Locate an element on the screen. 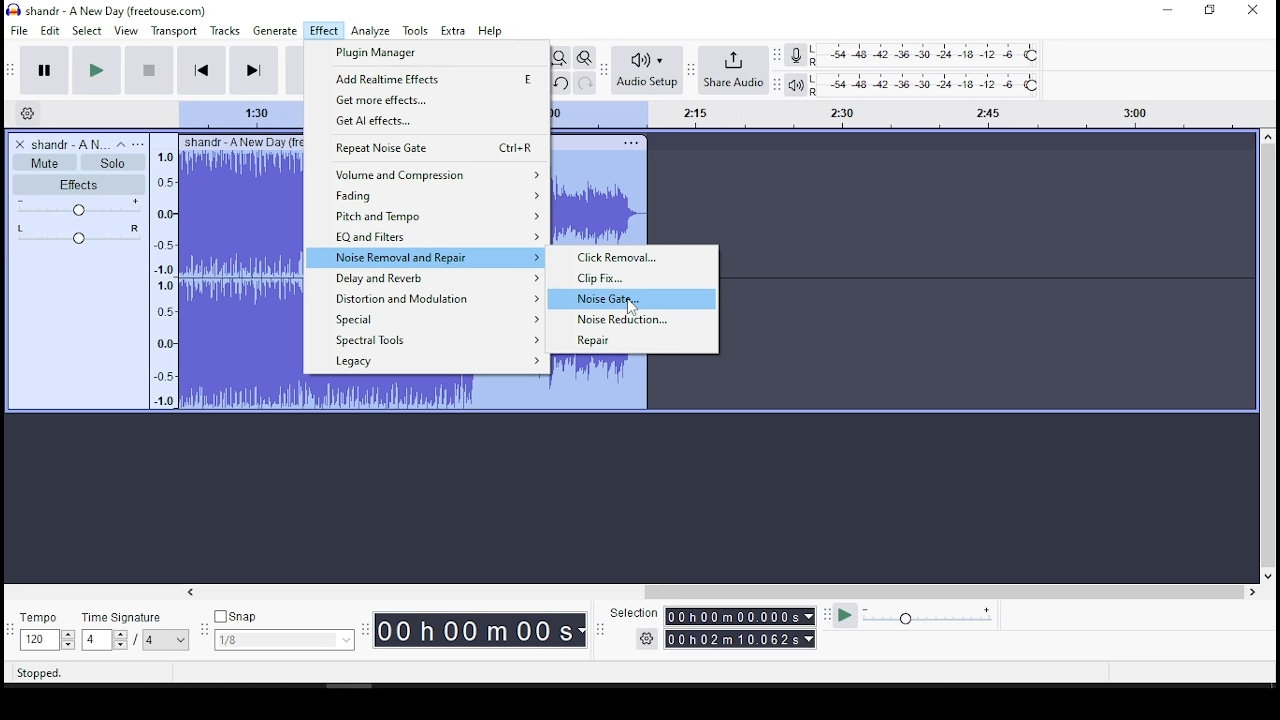 This screenshot has height=720, width=1280. track's timing is located at coordinates (243, 114).